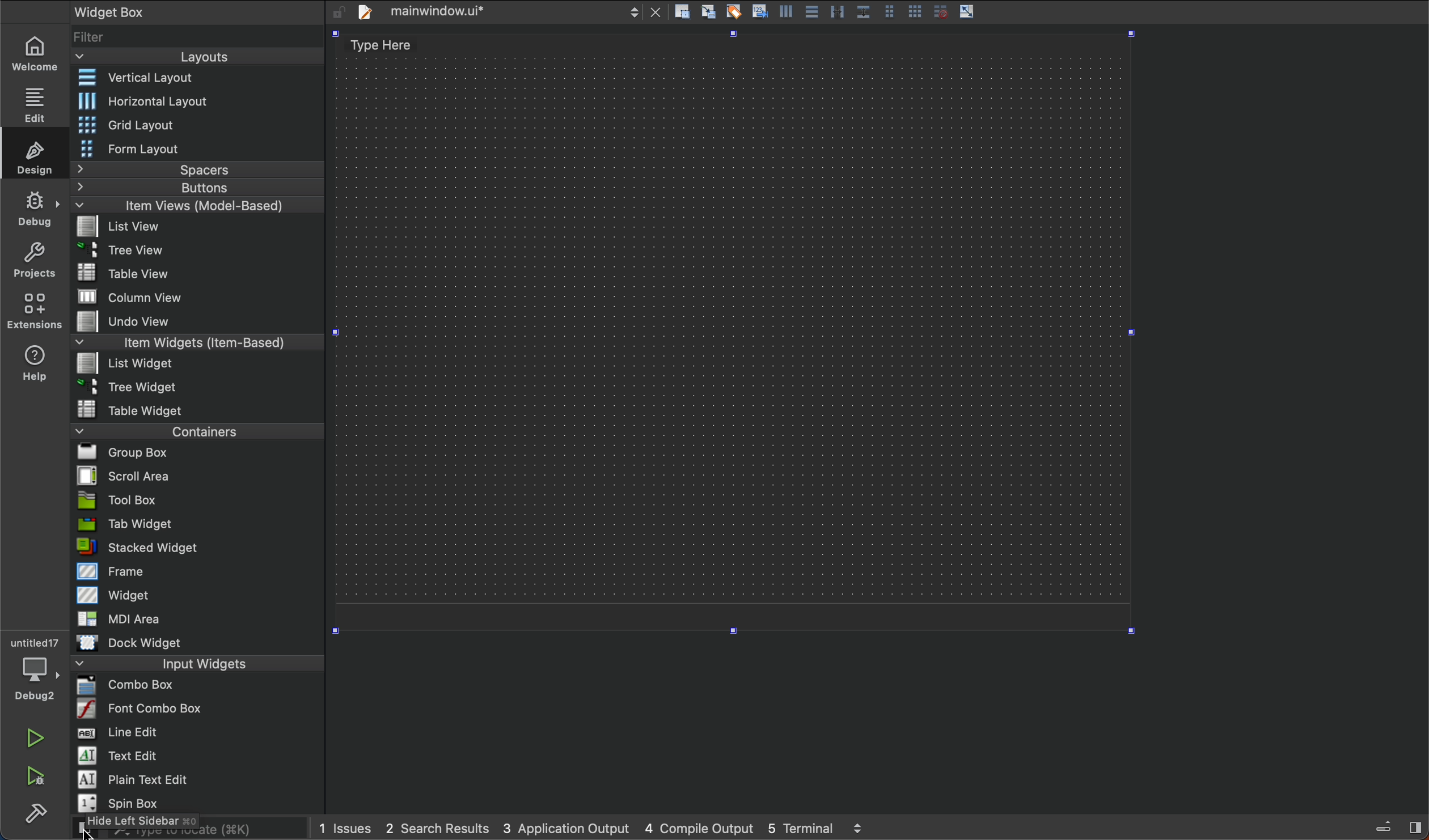  What do you see at coordinates (1415, 826) in the screenshot?
I see `` at bounding box center [1415, 826].